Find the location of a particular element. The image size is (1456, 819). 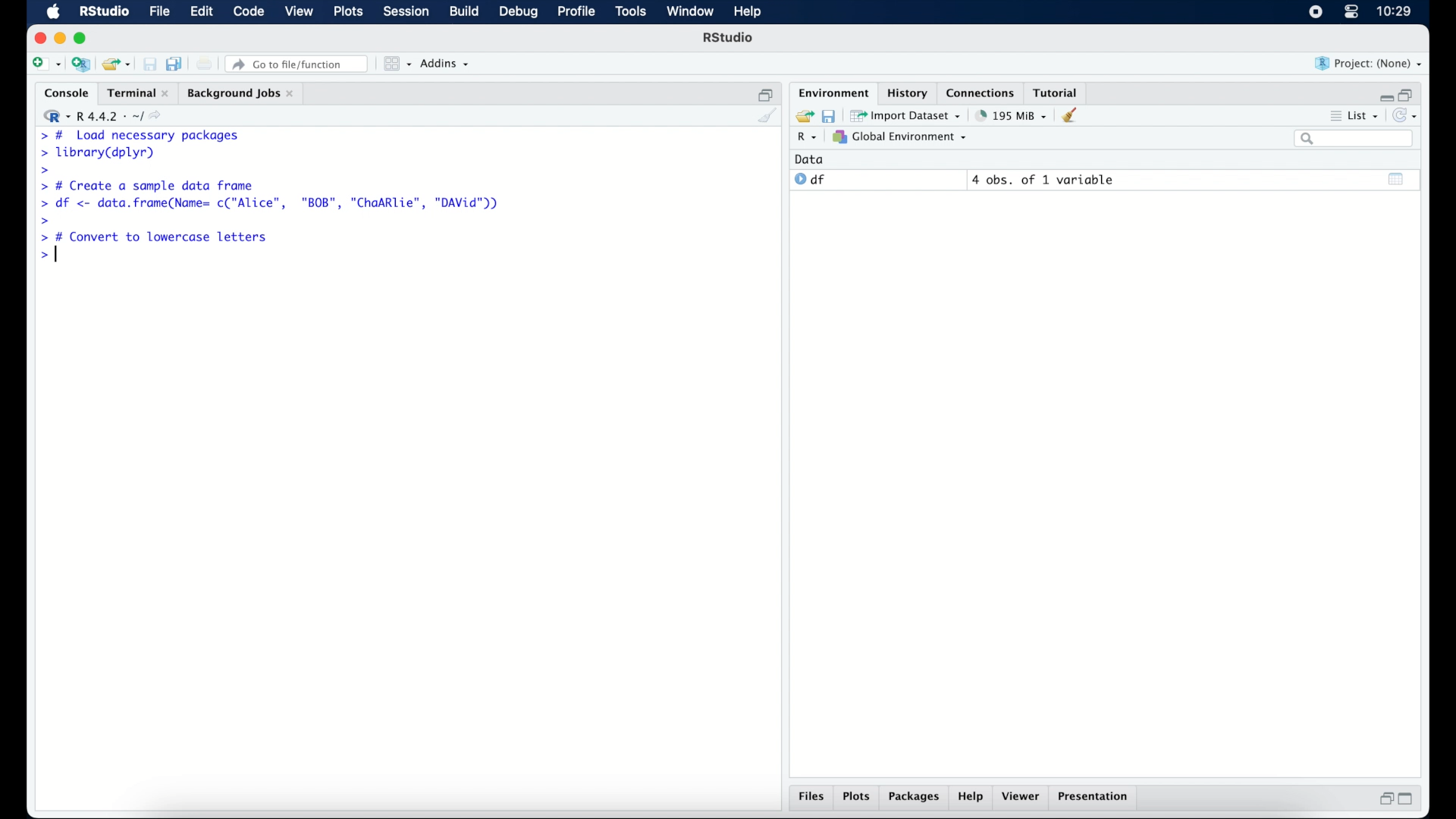

10.27 is located at coordinates (1394, 11).